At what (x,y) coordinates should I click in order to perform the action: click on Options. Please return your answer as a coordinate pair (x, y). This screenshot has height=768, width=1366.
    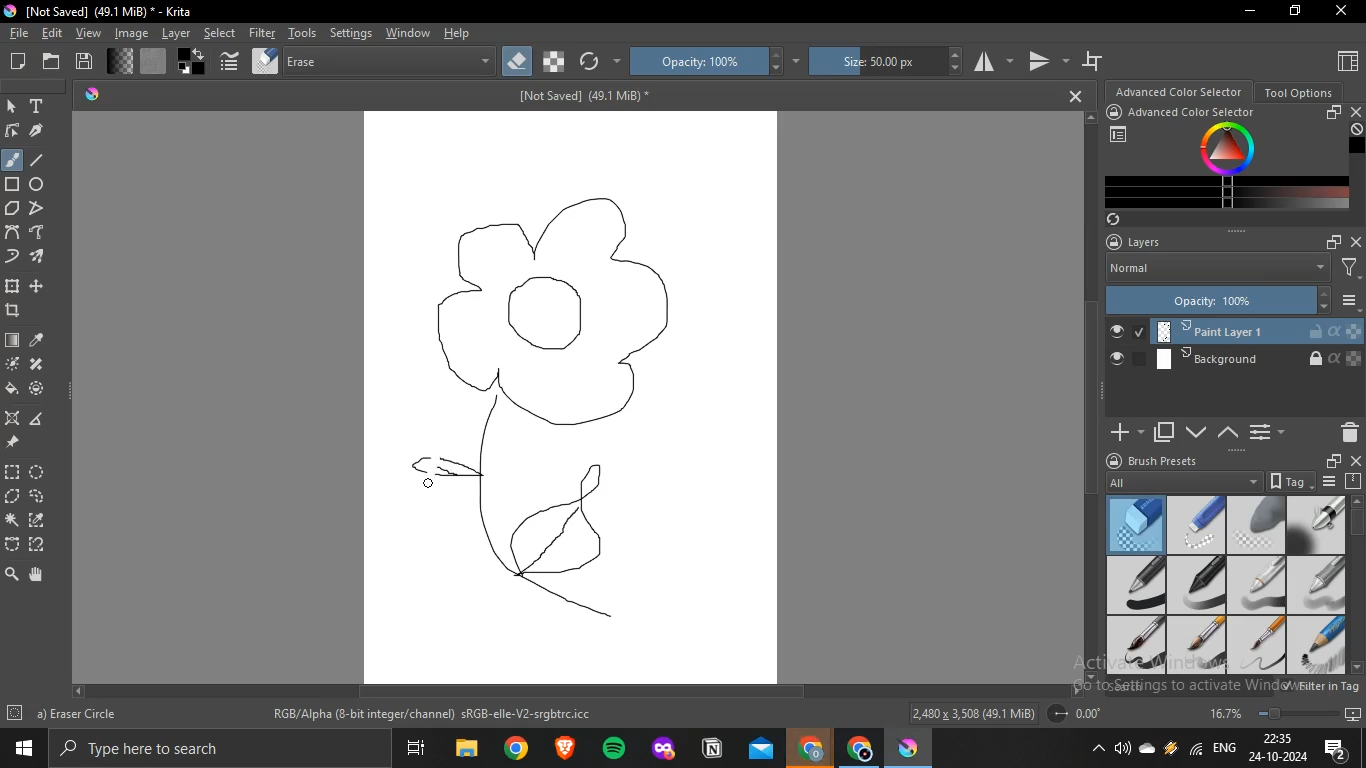
    Looking at the image, I should click on (1265, 432).